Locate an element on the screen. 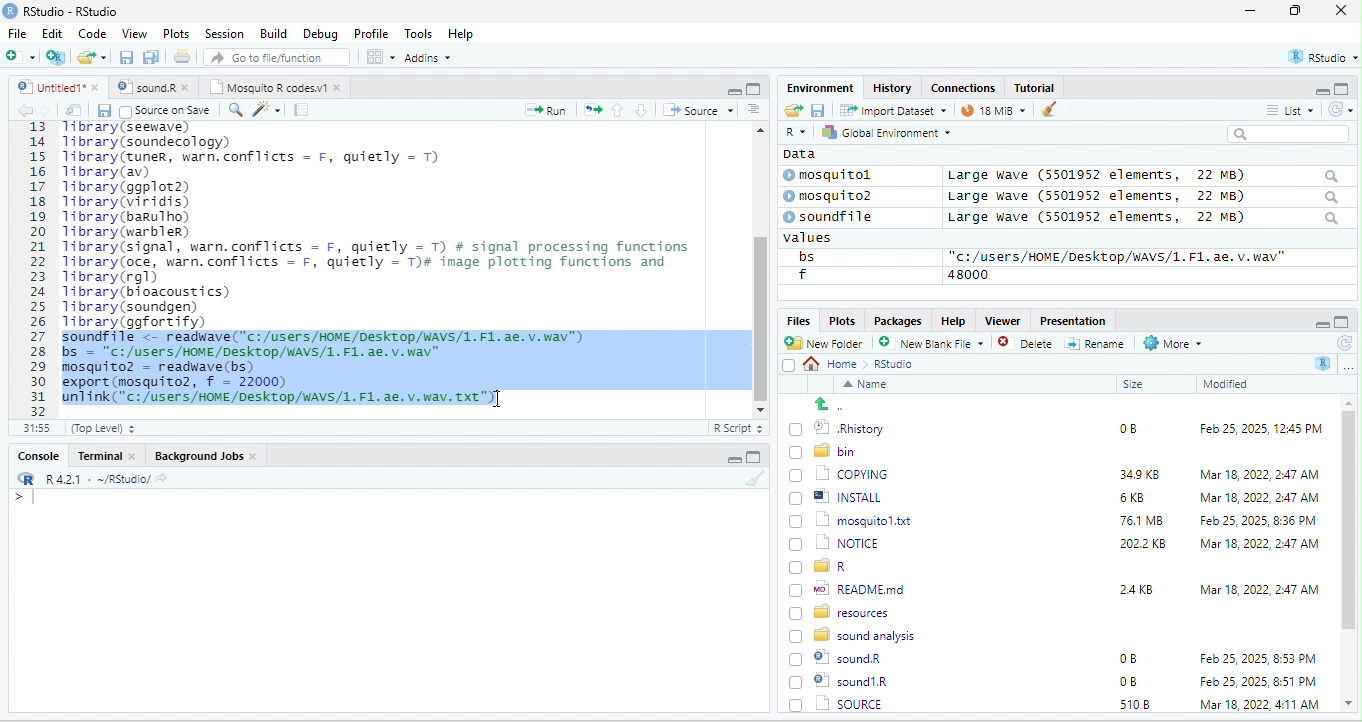  Debug is located at coordinates (320, 33).